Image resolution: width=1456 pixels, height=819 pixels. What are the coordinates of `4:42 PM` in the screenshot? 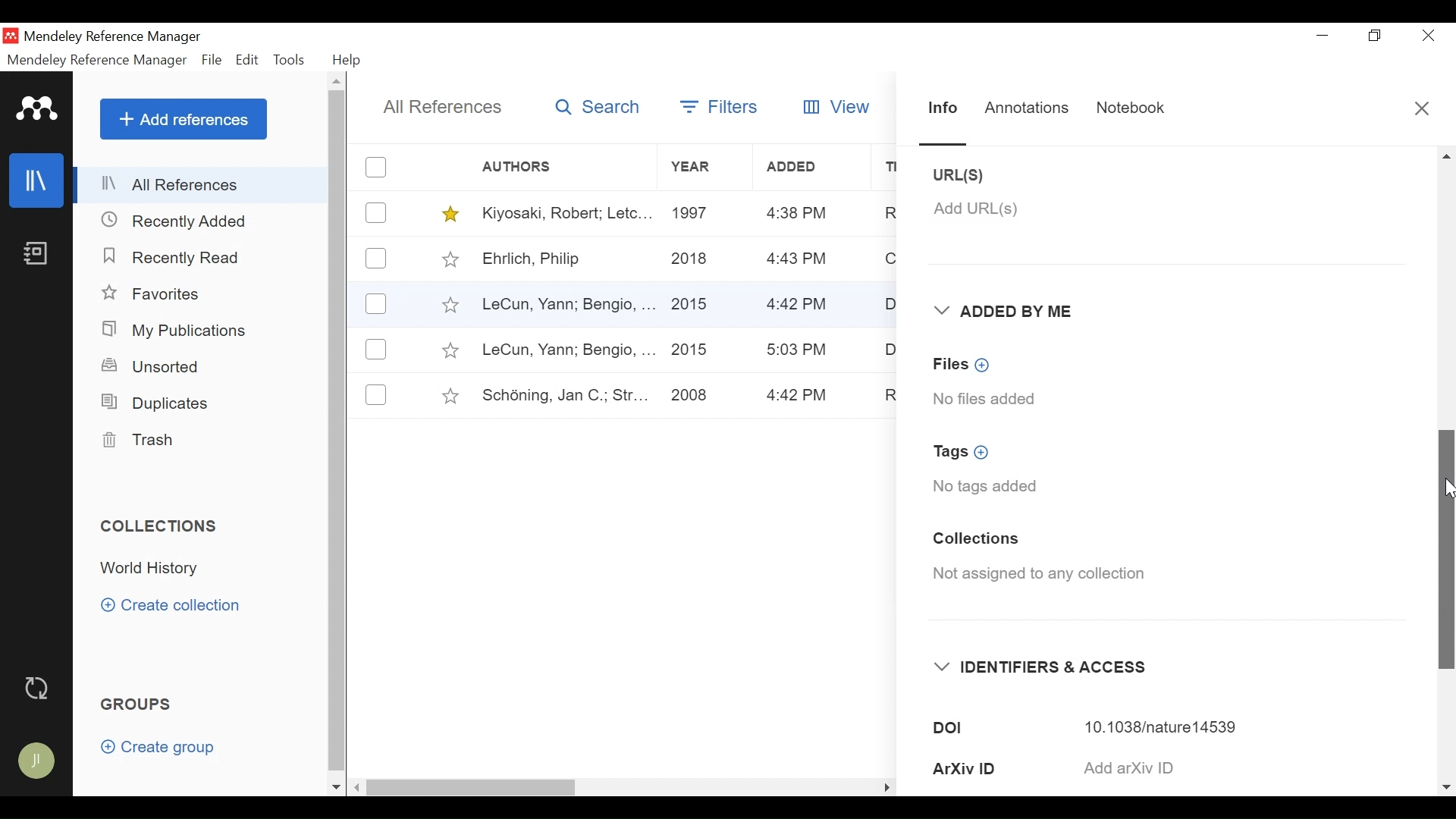 It's located at (799, 306).